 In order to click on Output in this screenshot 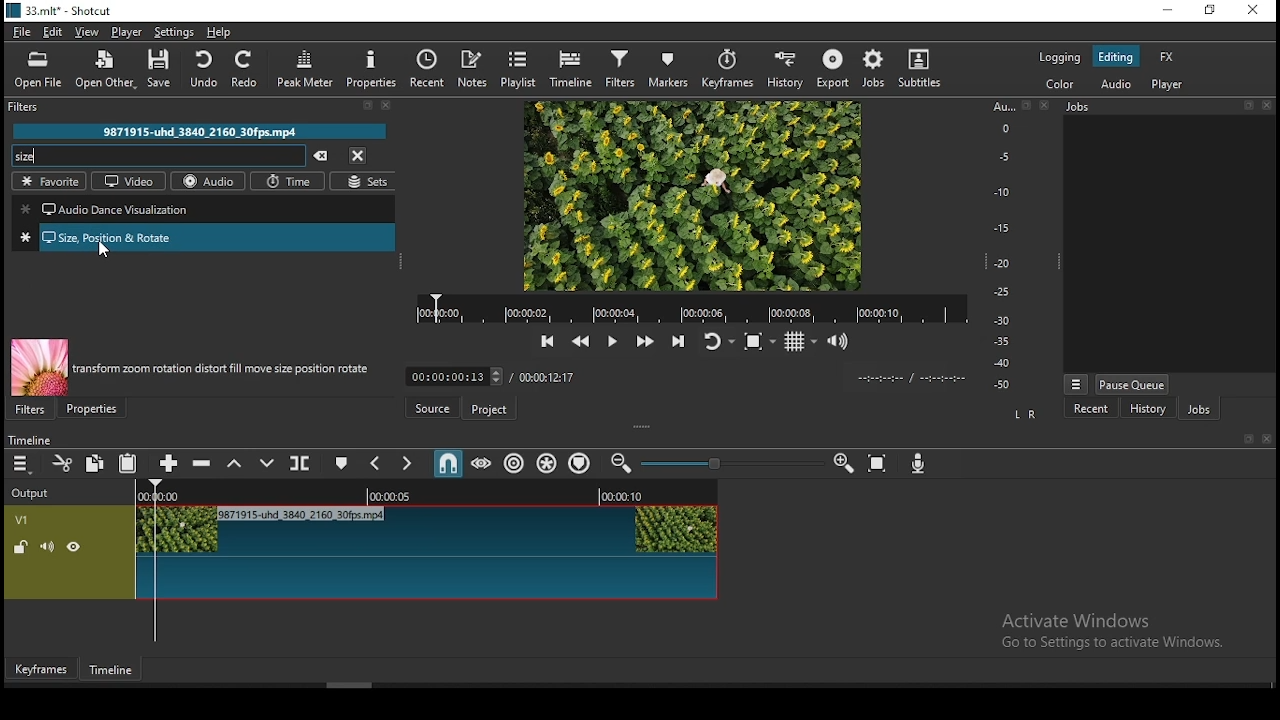, I will do `click(30, 494)`.